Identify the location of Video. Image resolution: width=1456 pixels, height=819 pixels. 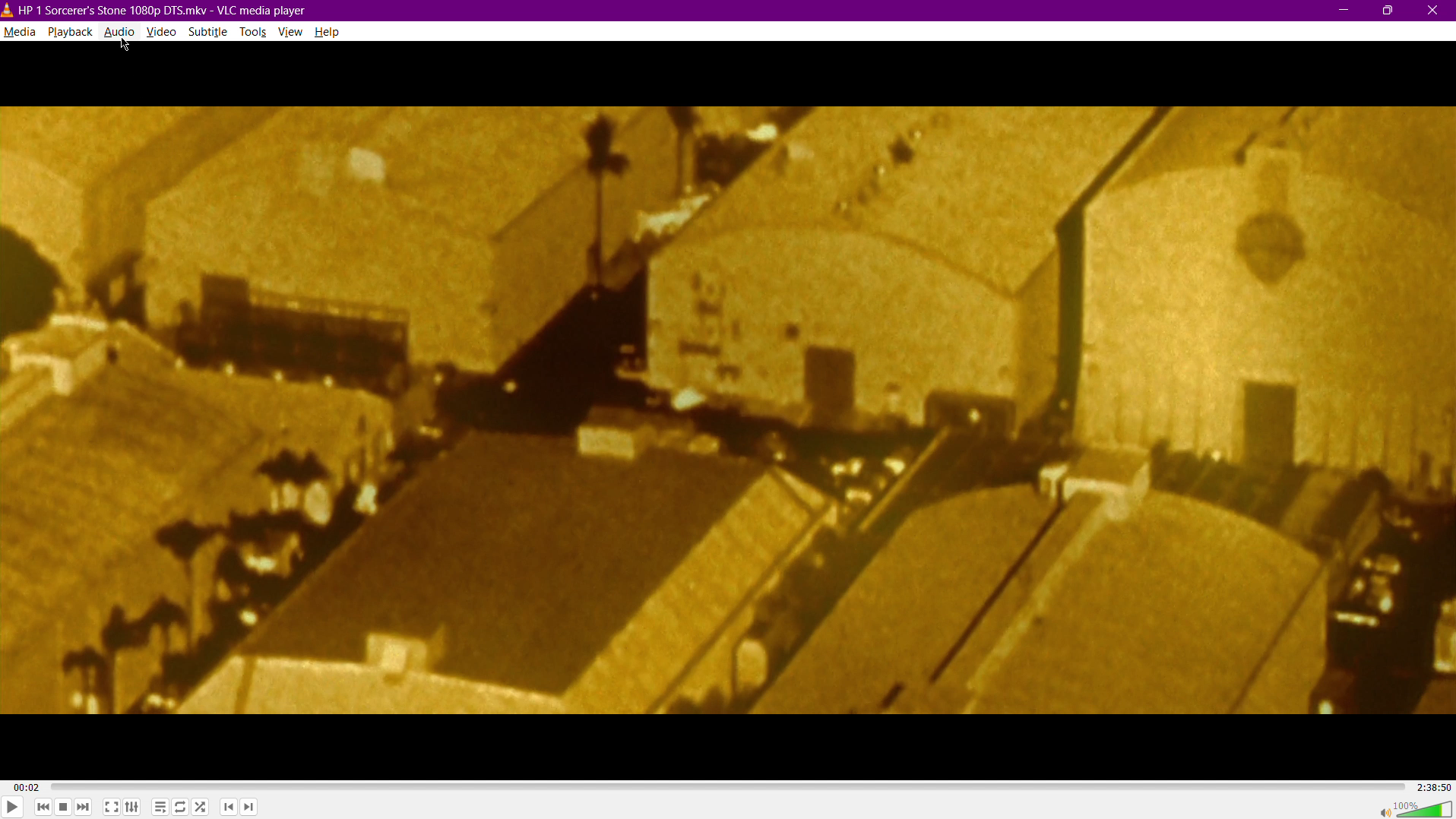
(163, 33).